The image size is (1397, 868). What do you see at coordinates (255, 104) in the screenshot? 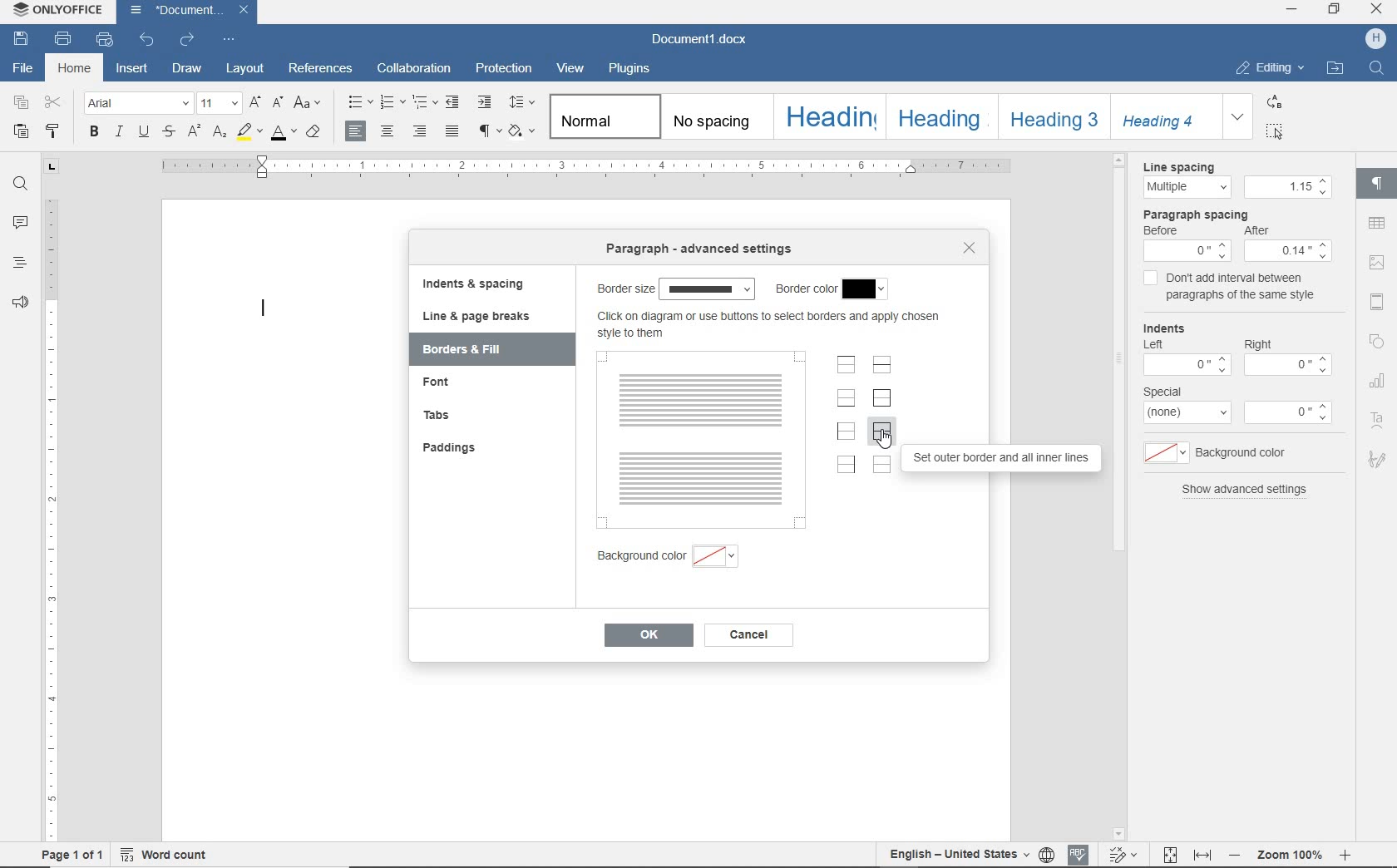
I see `increment font size` at bounding box center [255, 104].